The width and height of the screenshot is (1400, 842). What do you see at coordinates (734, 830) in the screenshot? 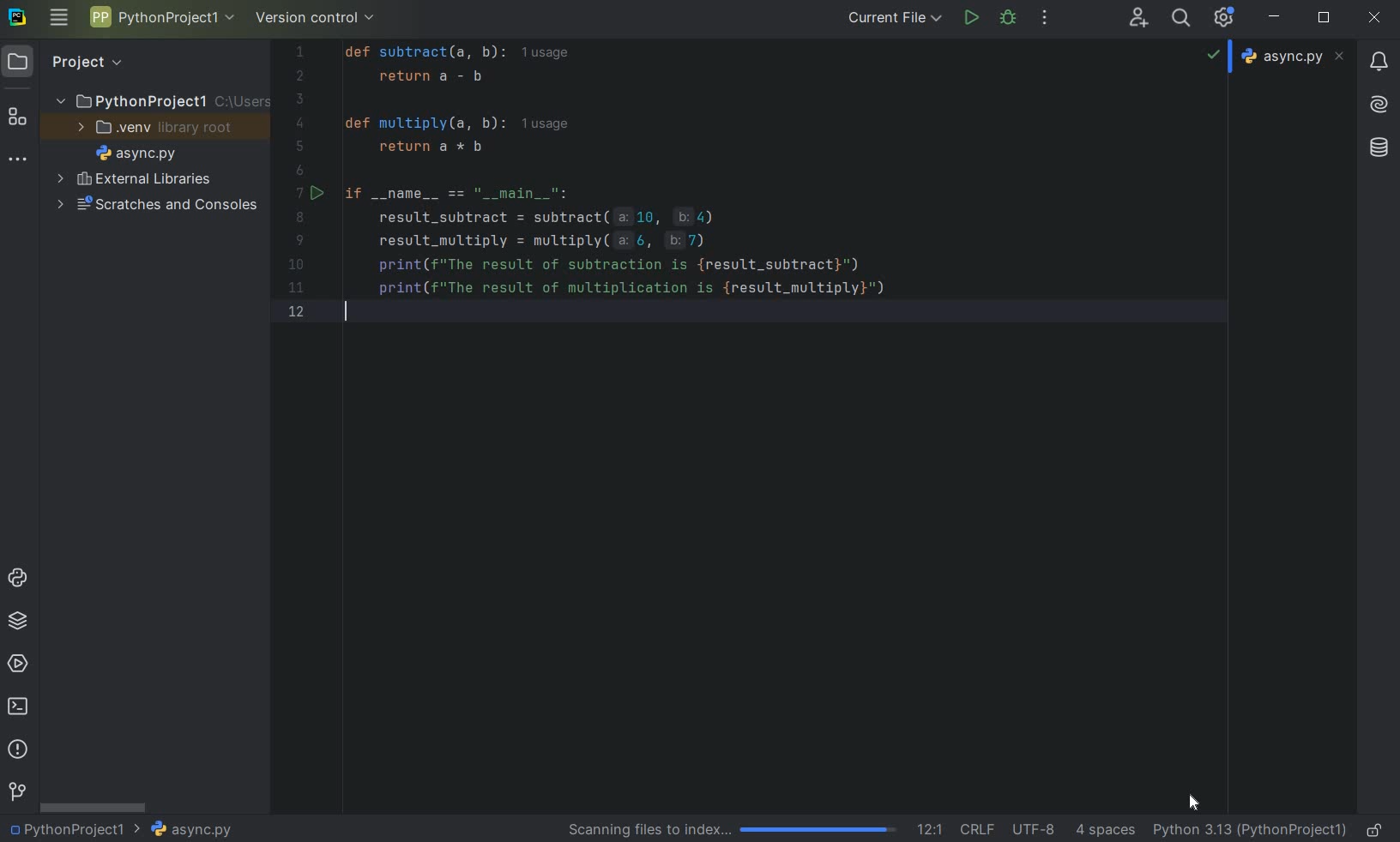
I see `scanning files to index` at bounding box center [734, 830].